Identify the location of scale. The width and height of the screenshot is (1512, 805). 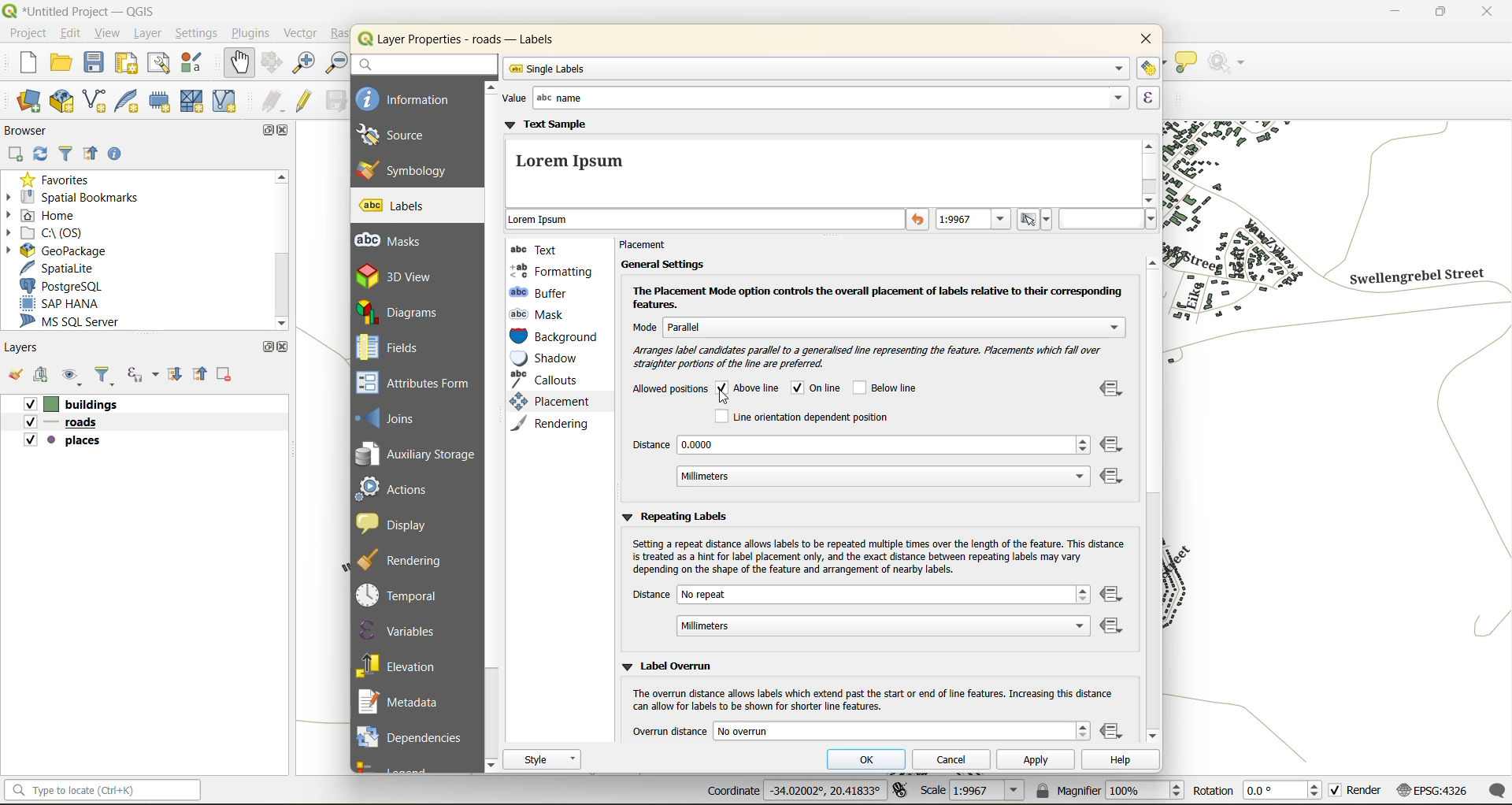
(973, 792).